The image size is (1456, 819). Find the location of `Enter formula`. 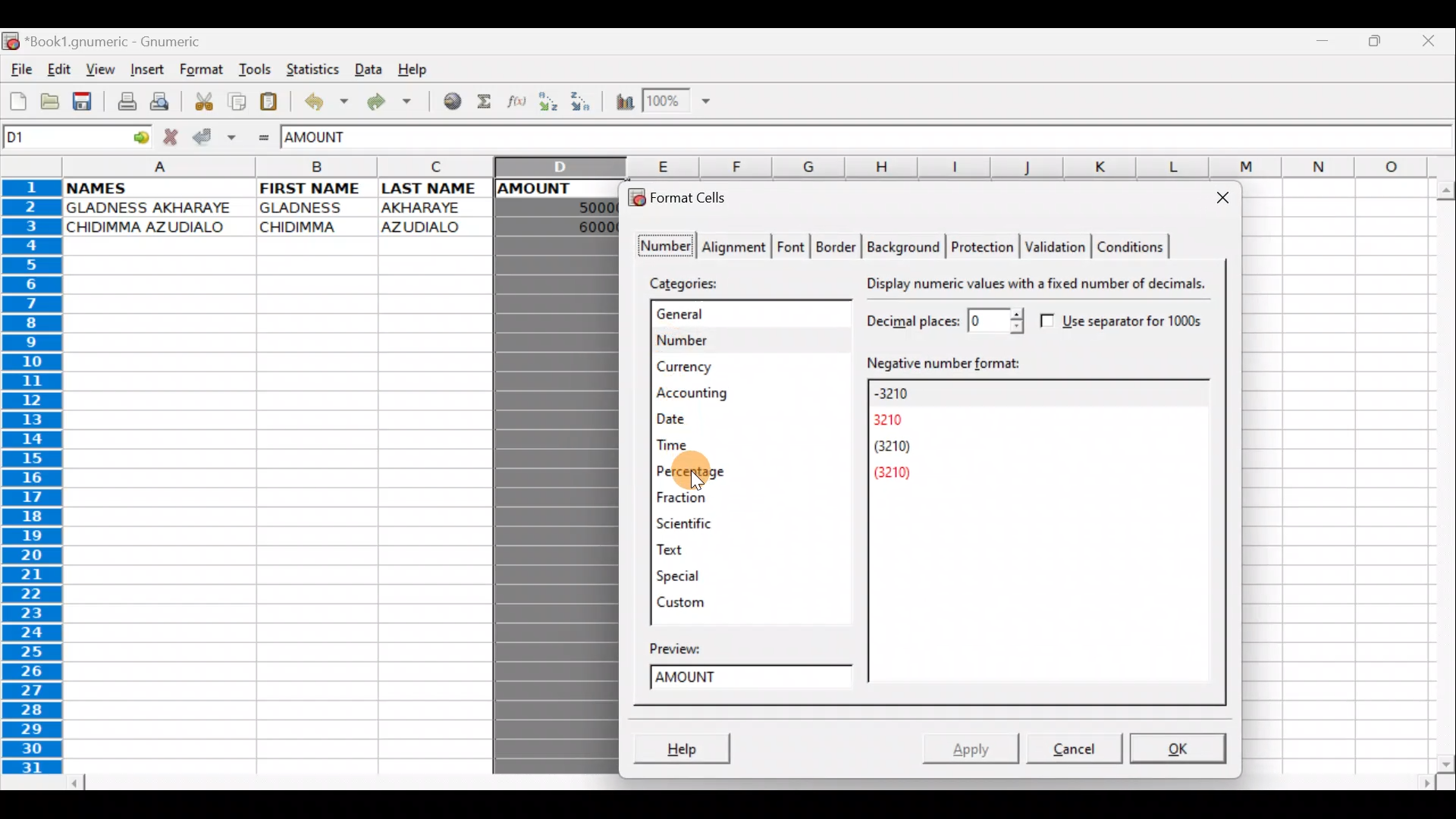

Enter formula is located at coordinates (264, 137).